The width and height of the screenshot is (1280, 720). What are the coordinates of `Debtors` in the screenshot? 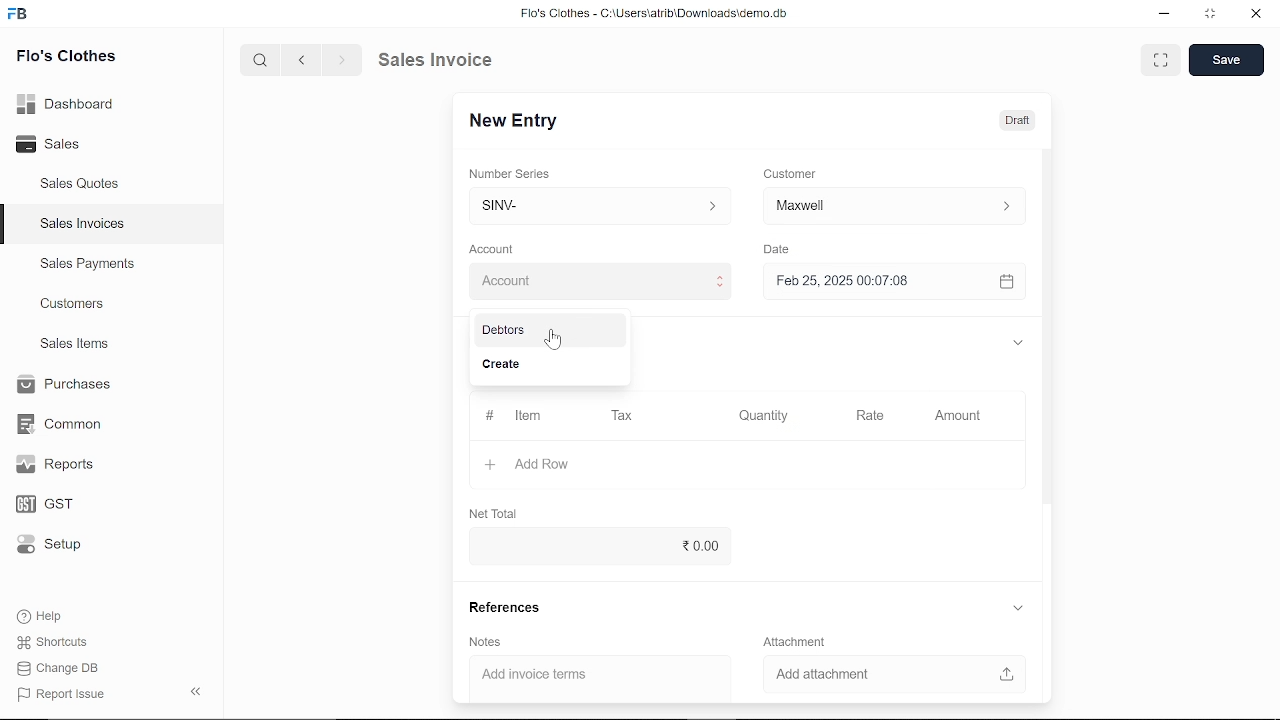 It's located at (546, 331).